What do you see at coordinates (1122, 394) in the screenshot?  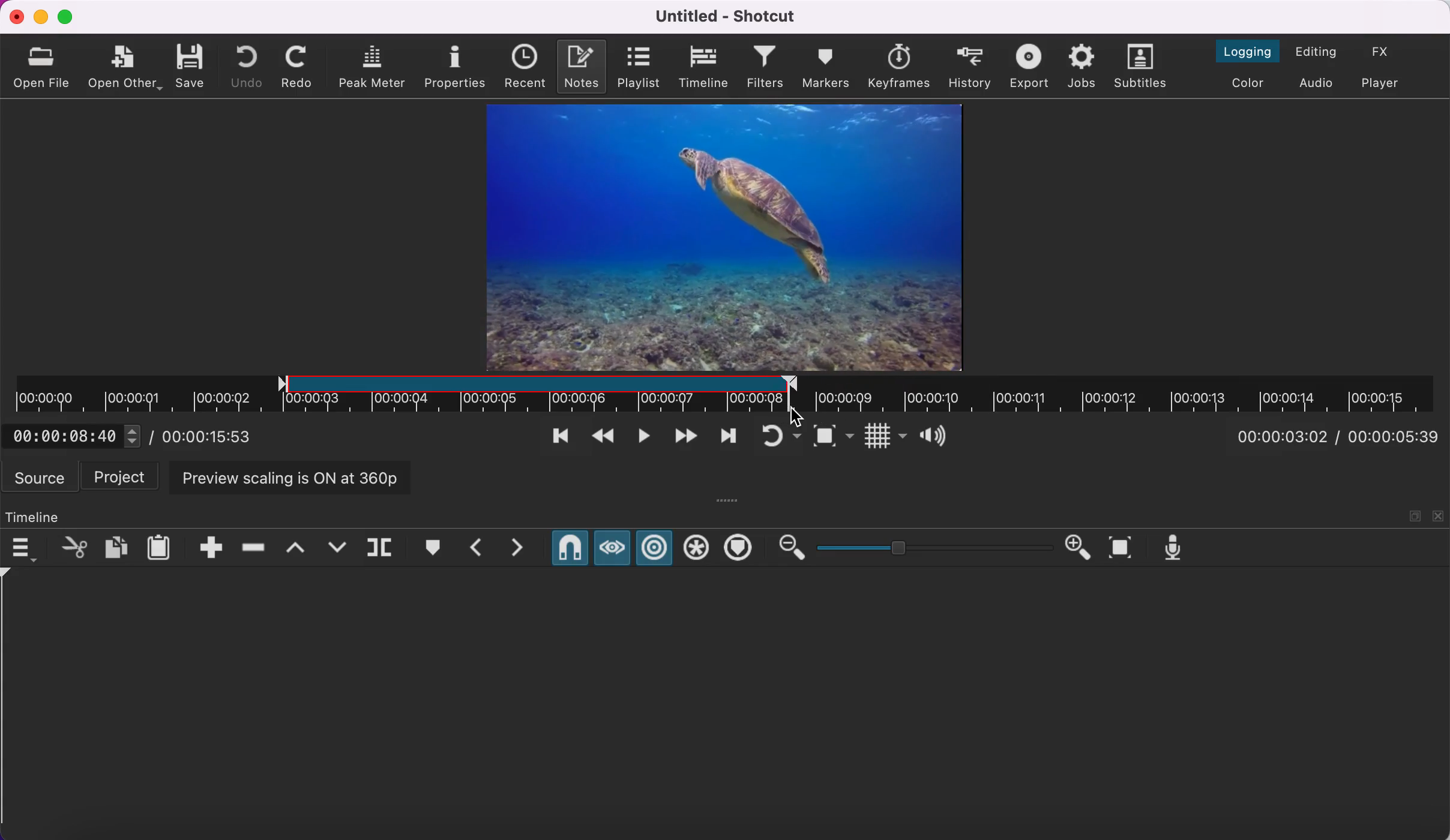 I see `unclipped timeline` at bounding box center [1122, 394].